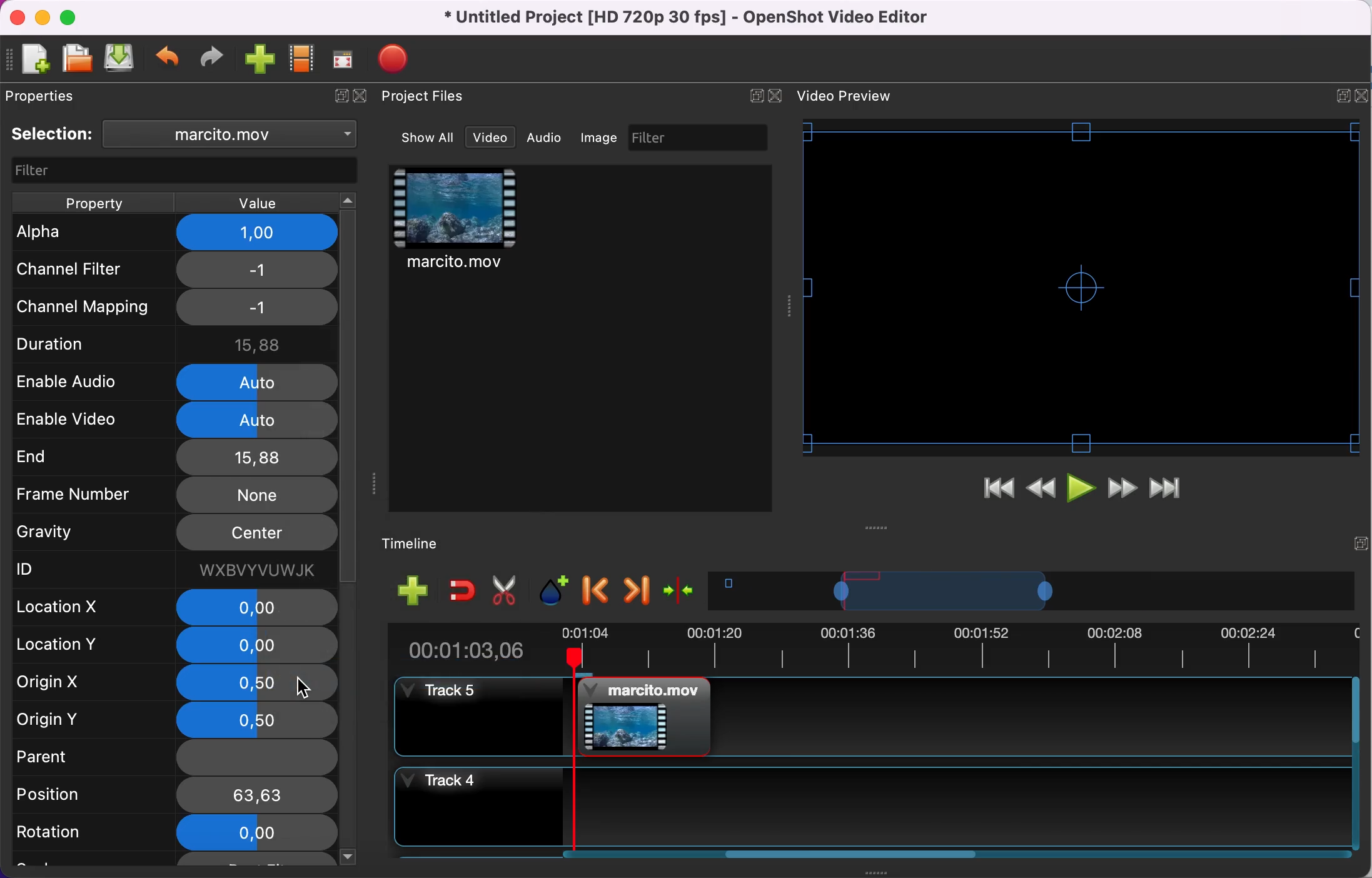 The width and height of the screenshot is (1372, 878). What do you see at coordinates (844, 96) in the screenshot?
I see `Text` at bounding box center [844, 96].